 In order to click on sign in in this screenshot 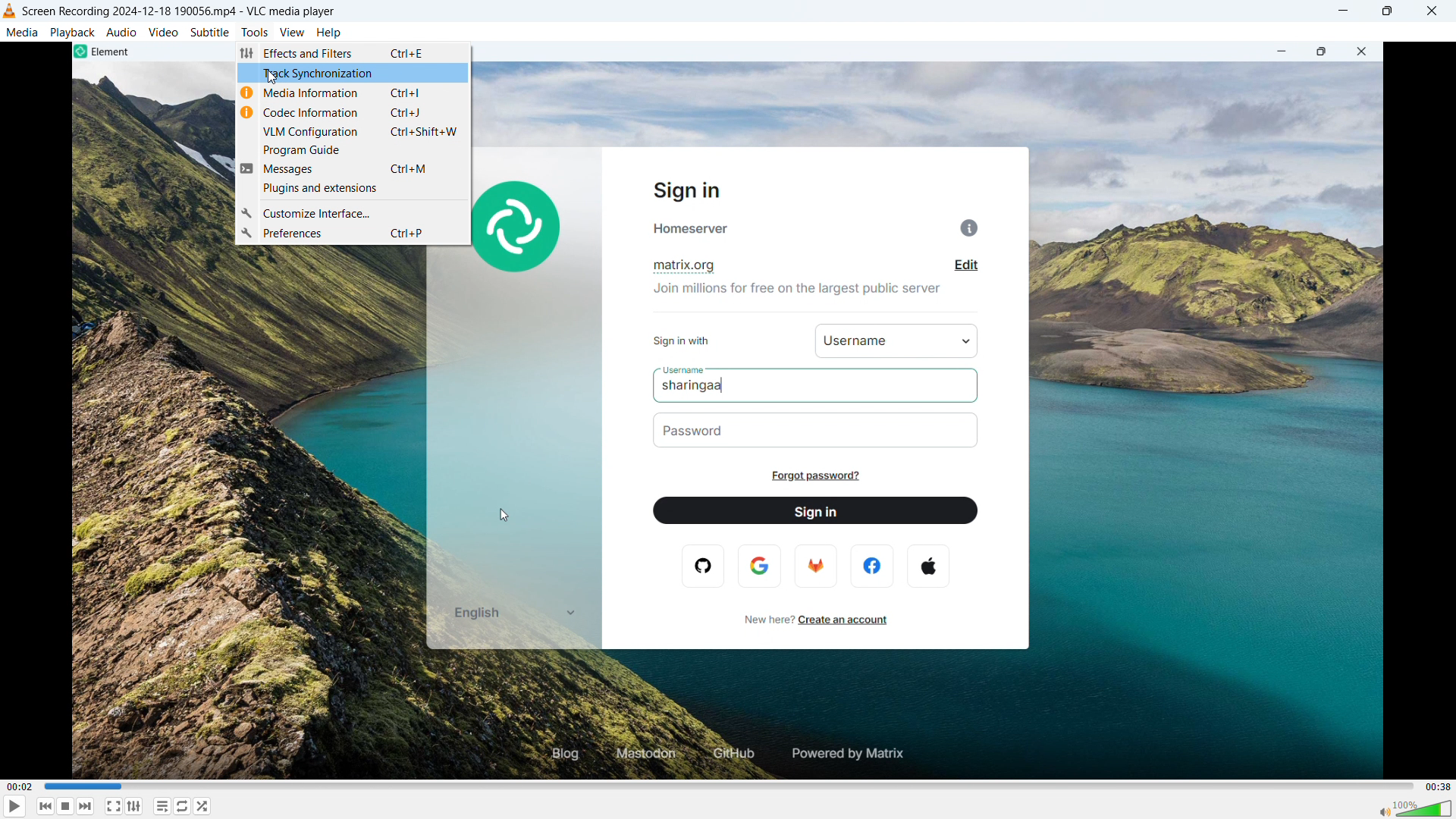, I will do `click(686, 190)`.